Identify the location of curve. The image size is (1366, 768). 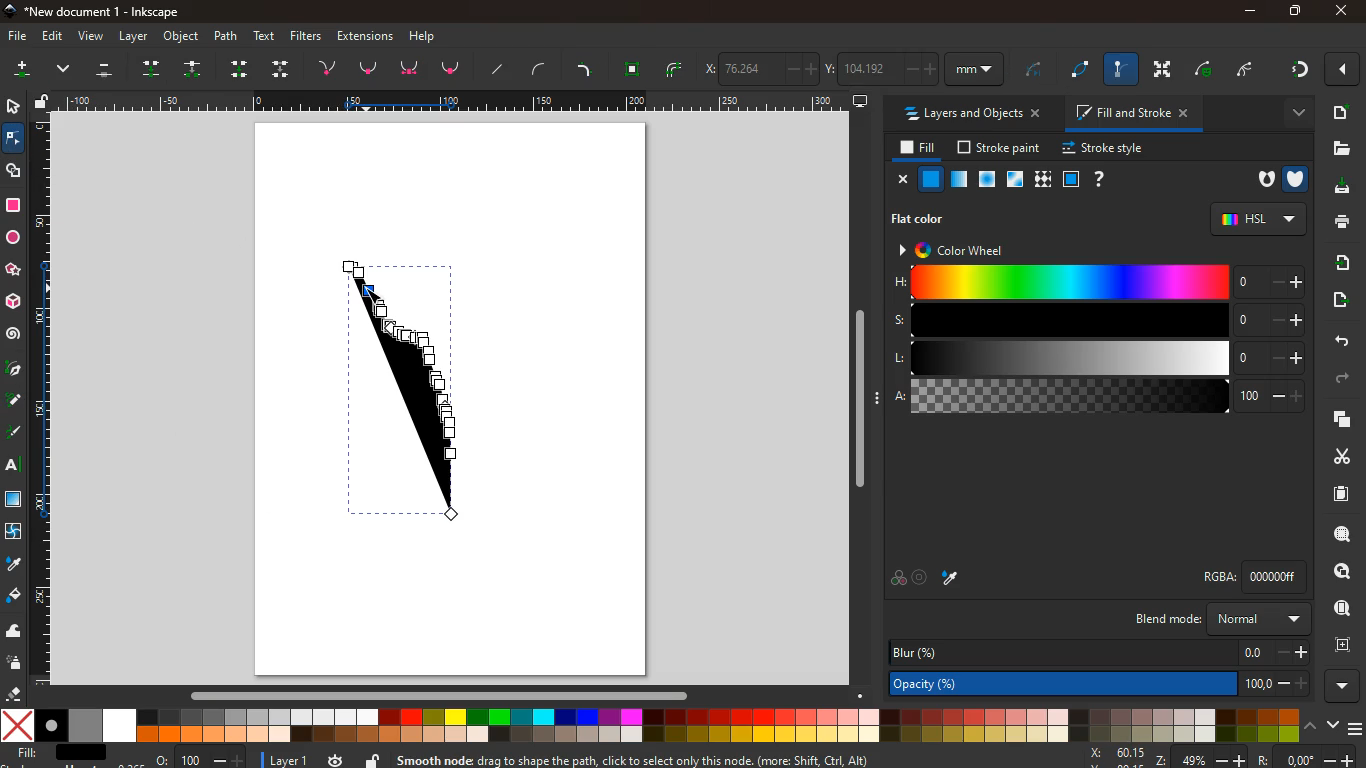
(1208, 69).